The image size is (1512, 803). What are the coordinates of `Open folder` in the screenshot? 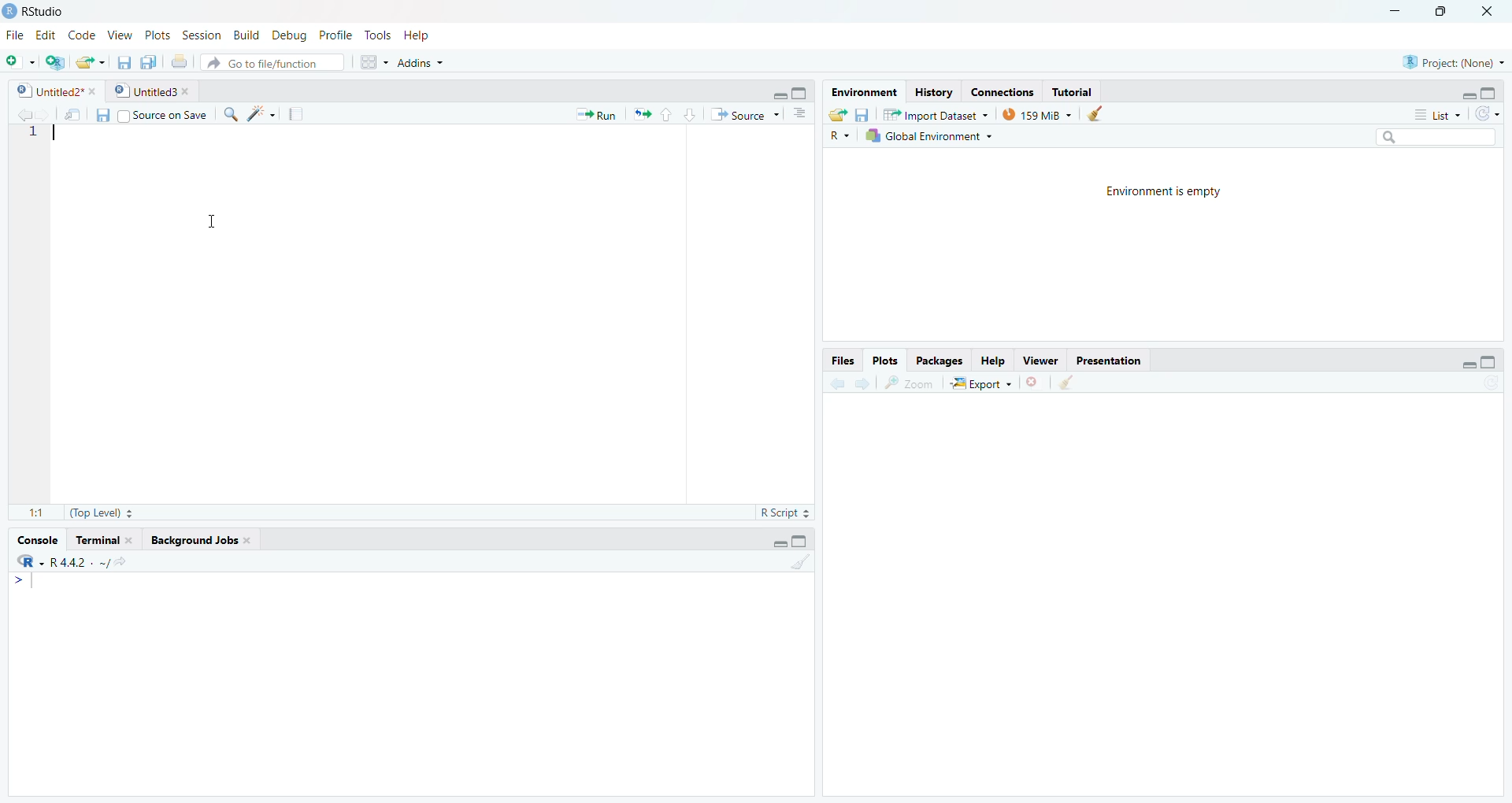 It's located at (89, 62).